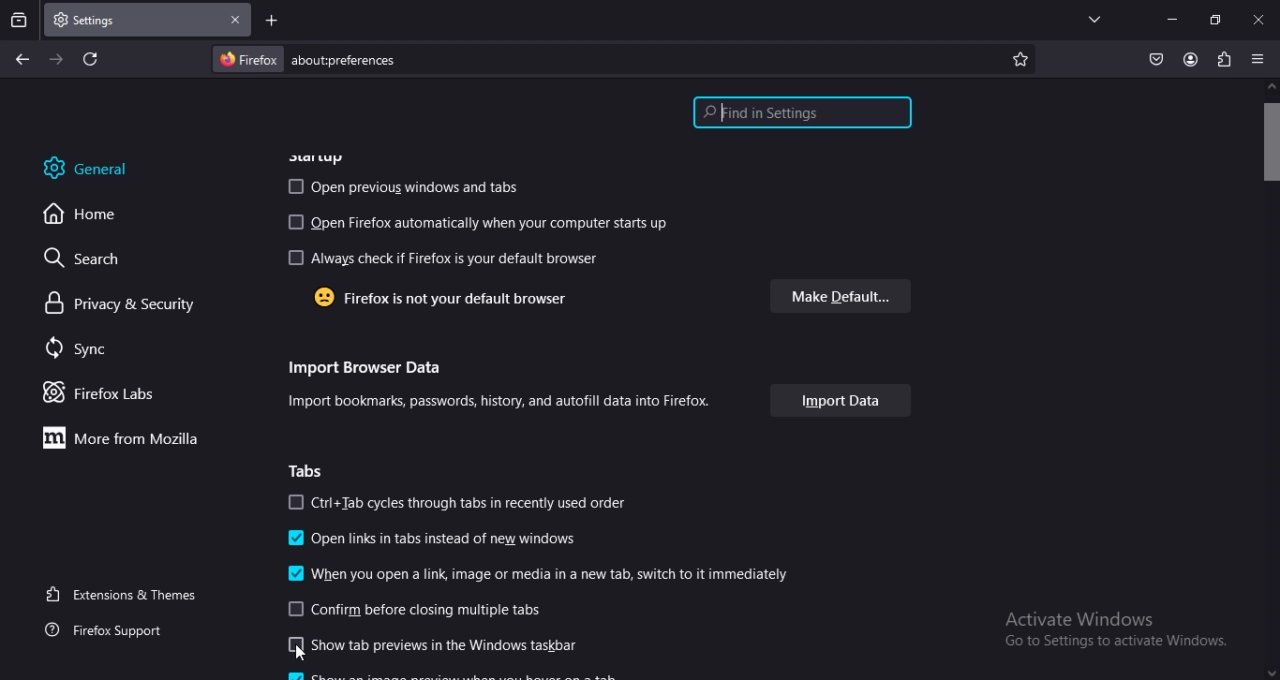 Image resolution: width=1280 pixels, height=680 pixels. Describe the element at coordinates (445, 258) in the screenshot. I see `always check if firefox is default browser` at that location.